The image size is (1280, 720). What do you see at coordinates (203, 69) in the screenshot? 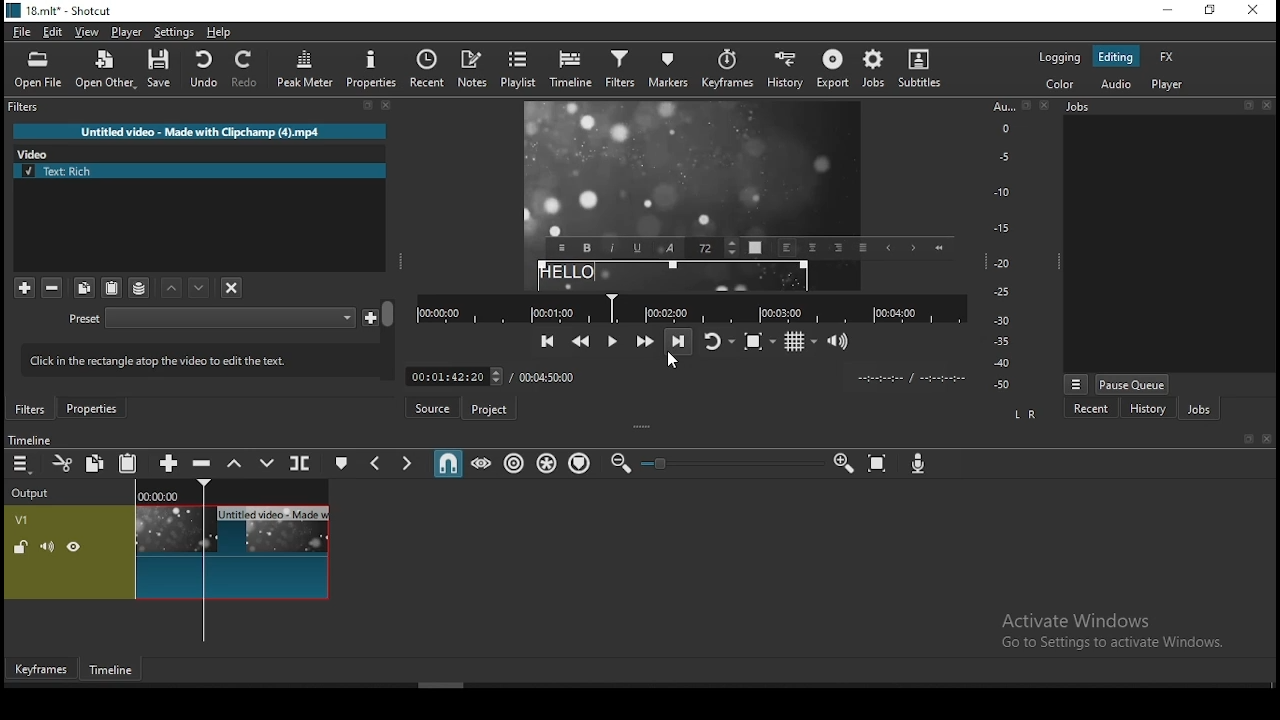
I see `undo` at bounding box center [203, 69].